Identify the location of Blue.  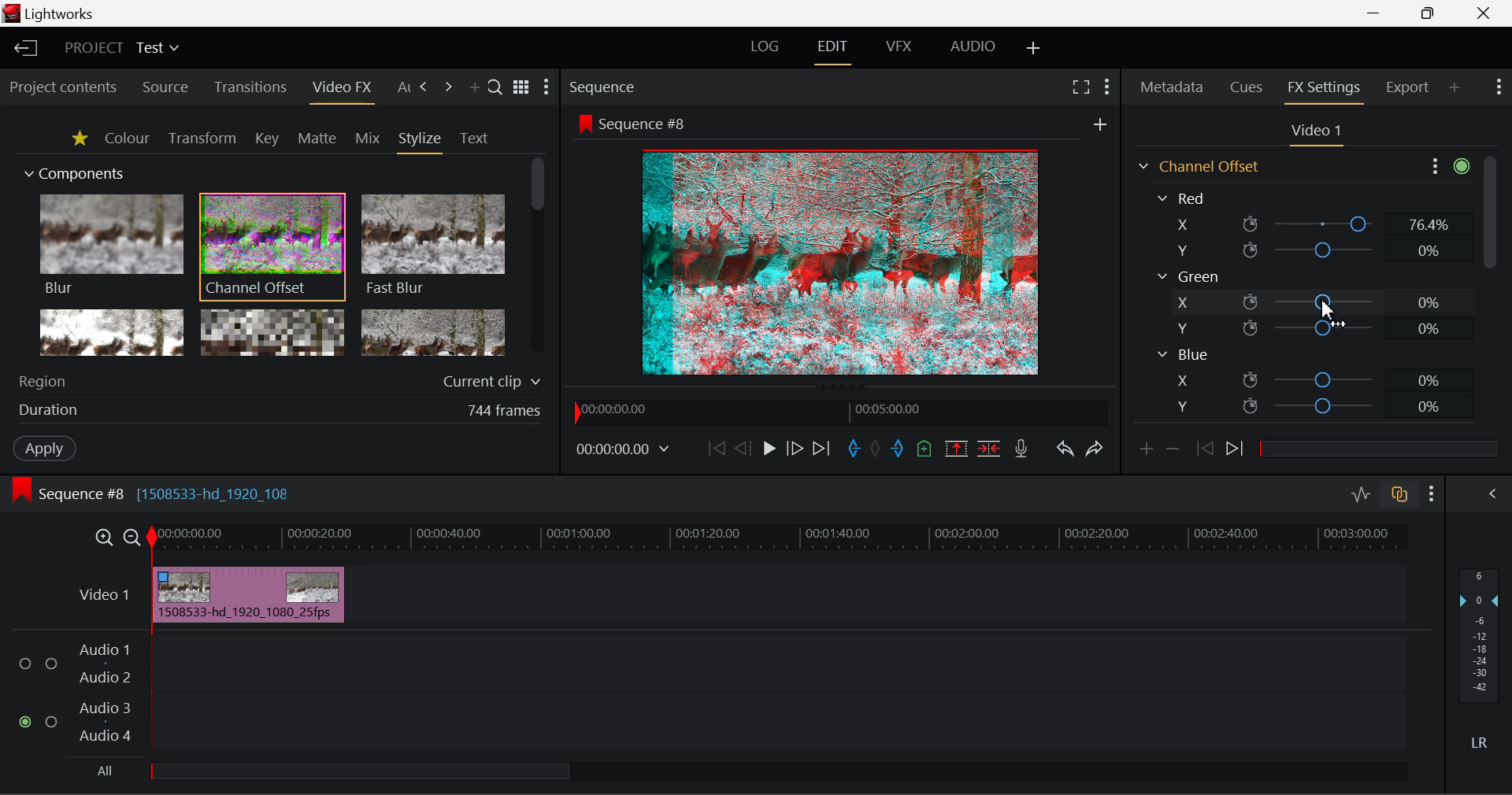
(1183, 355).